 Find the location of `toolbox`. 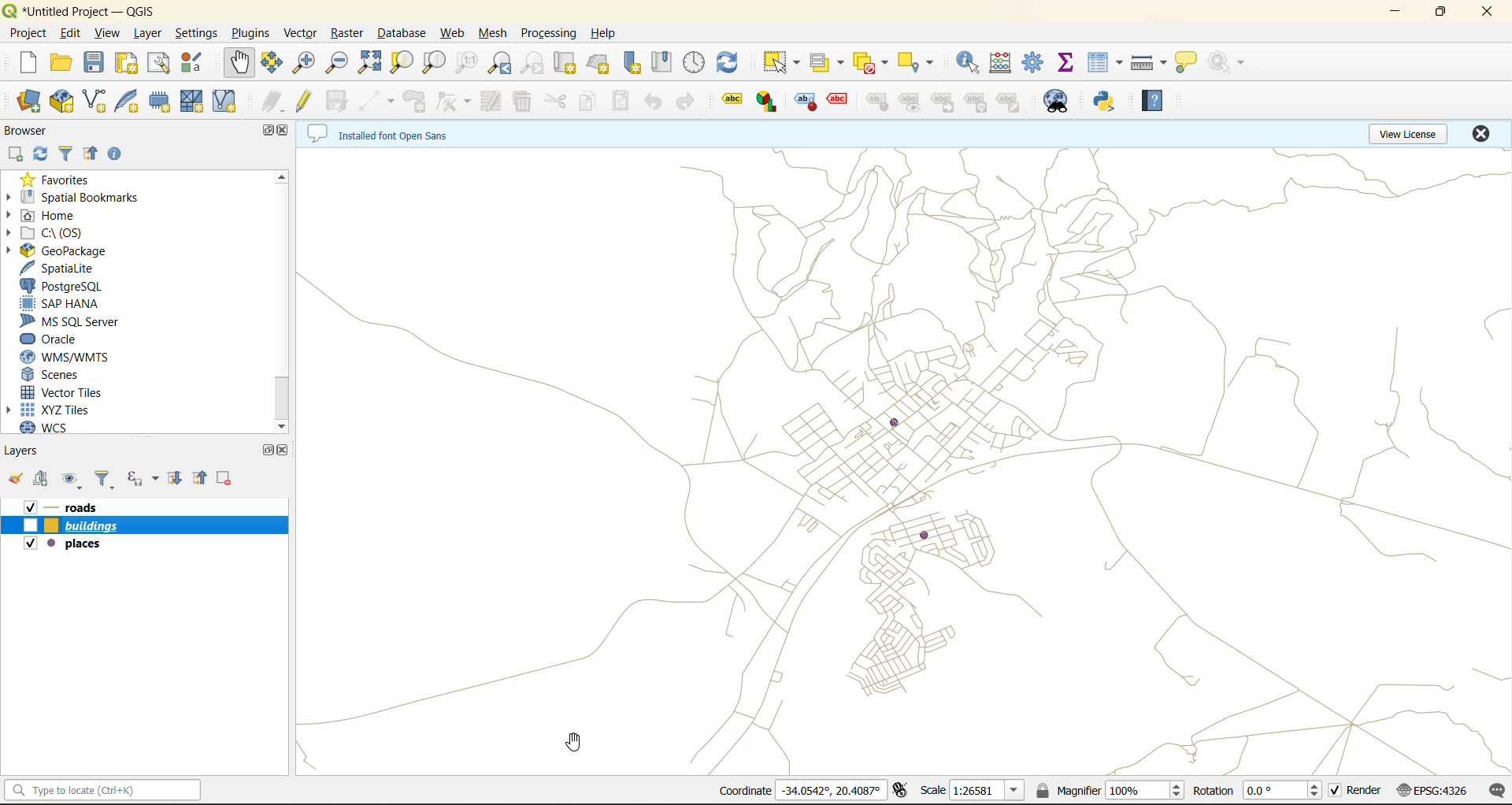

toolbox is located at coordinates (1036, 65).